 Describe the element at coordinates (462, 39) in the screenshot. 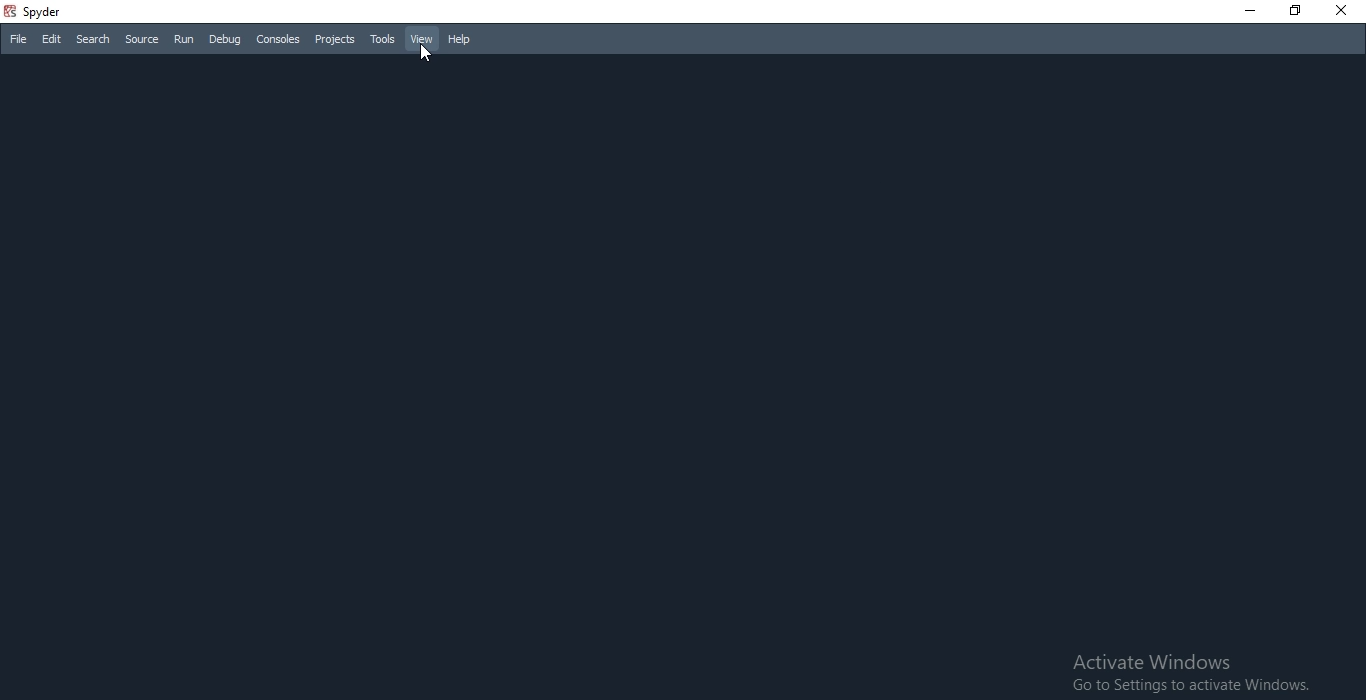

I see `Help` at that location.